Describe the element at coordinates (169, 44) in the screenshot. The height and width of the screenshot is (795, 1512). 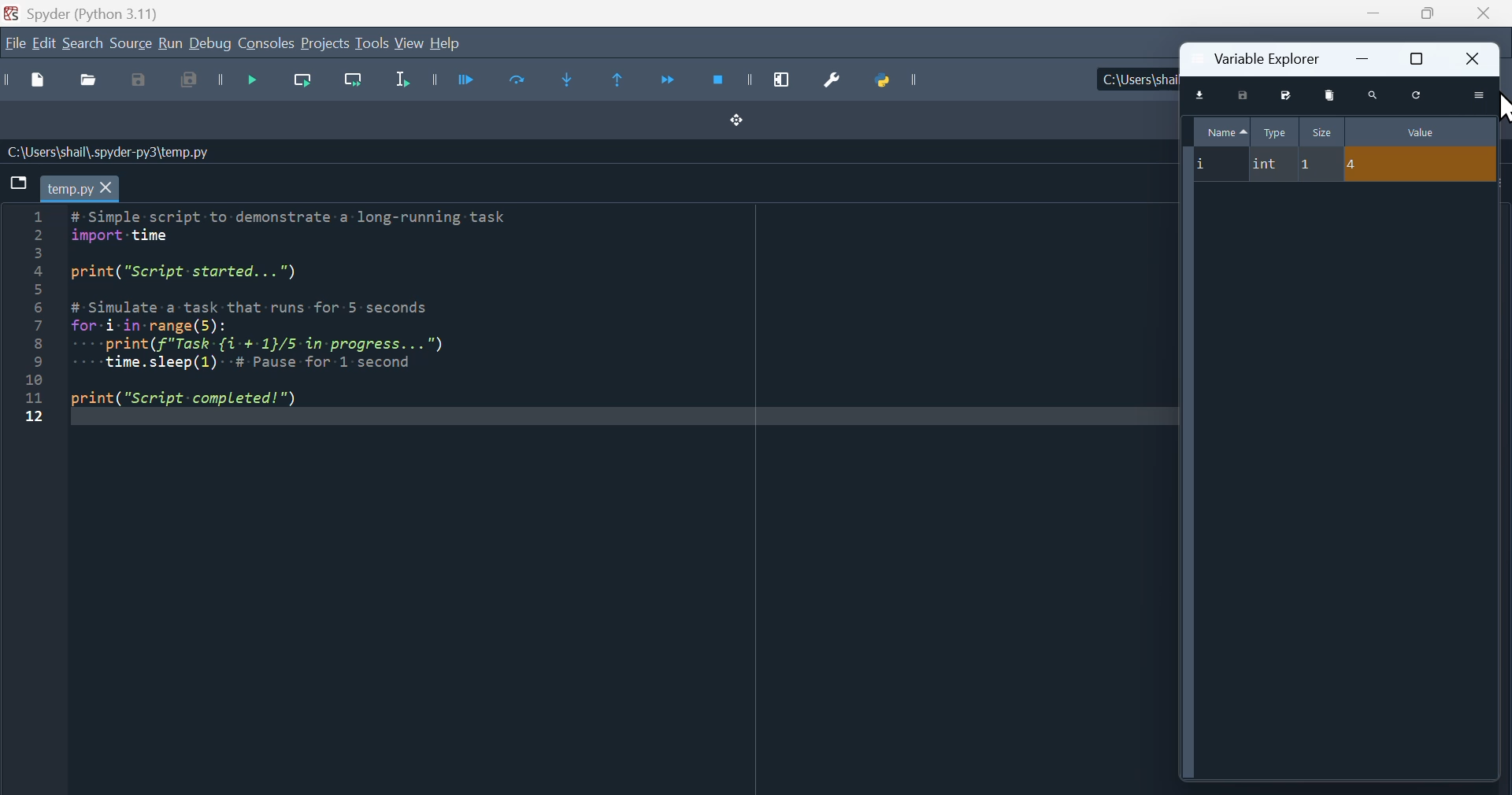
I see `run` at that location.